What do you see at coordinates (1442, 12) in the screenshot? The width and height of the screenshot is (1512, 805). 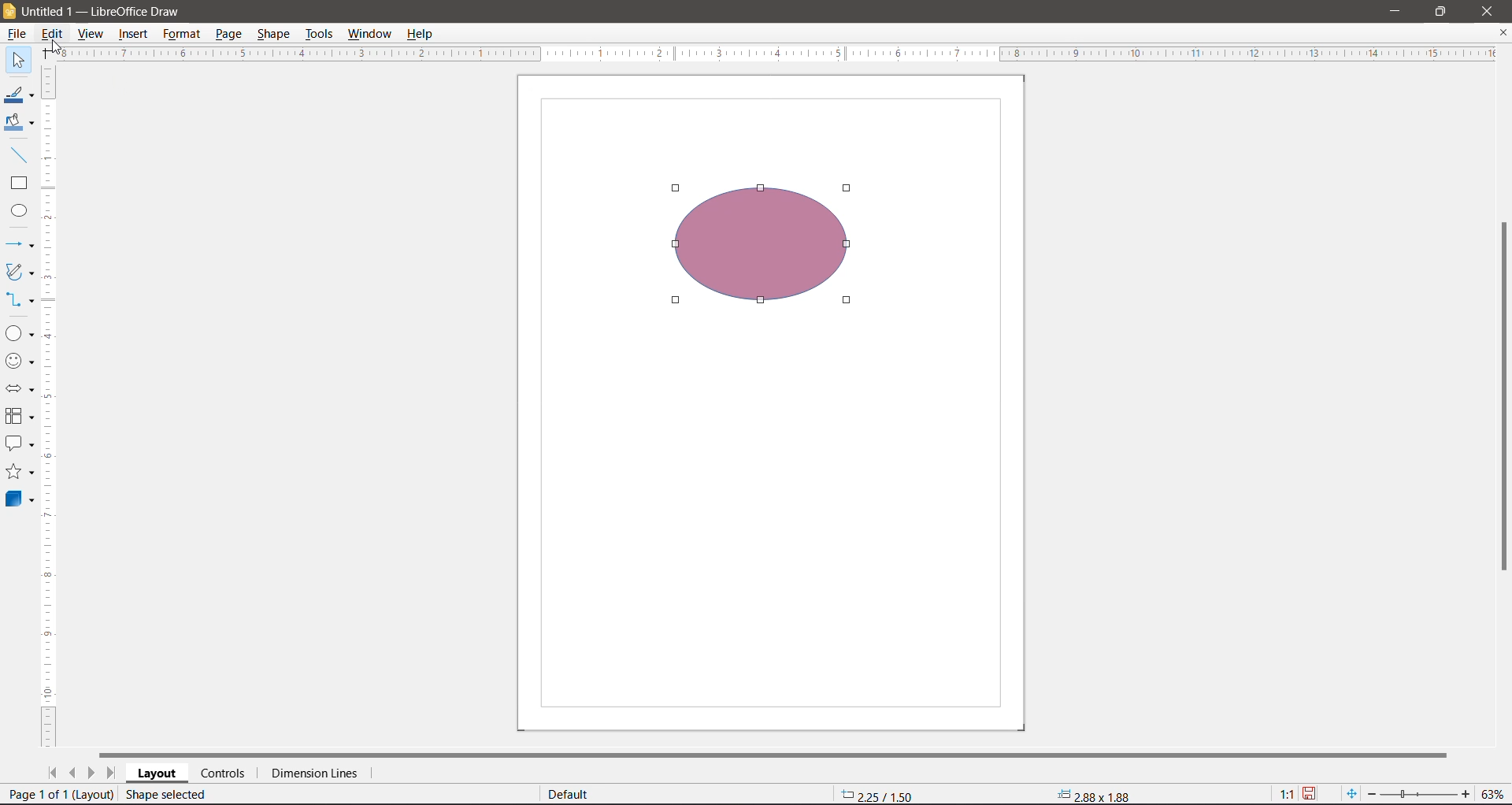 I see `Restore Down` at bounding box center [1442, 12].